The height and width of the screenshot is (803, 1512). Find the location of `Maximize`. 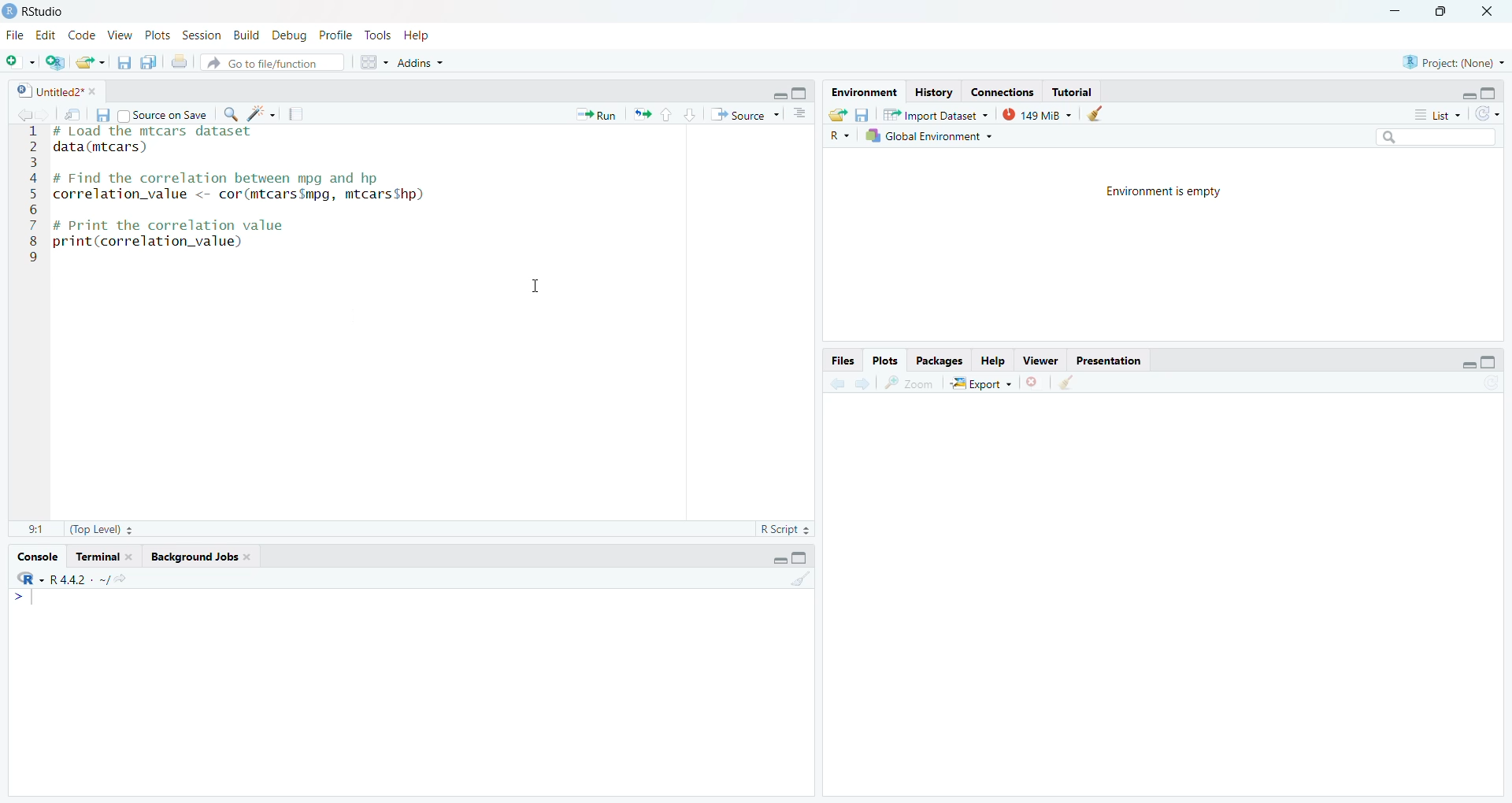

Maximize is located at coordinates (802, 93).